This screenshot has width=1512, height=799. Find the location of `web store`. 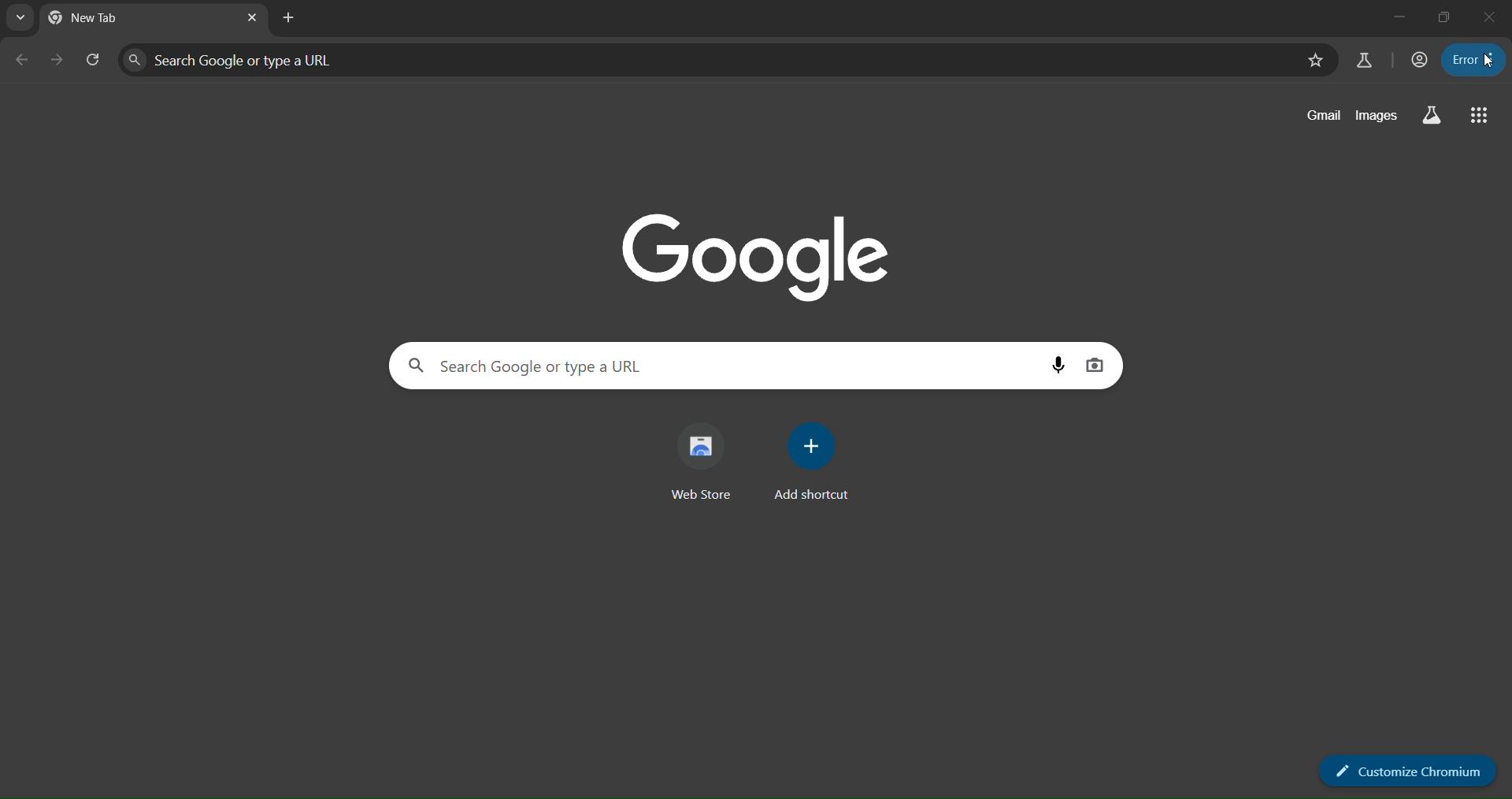

web store is located at coordinates (700, 455).